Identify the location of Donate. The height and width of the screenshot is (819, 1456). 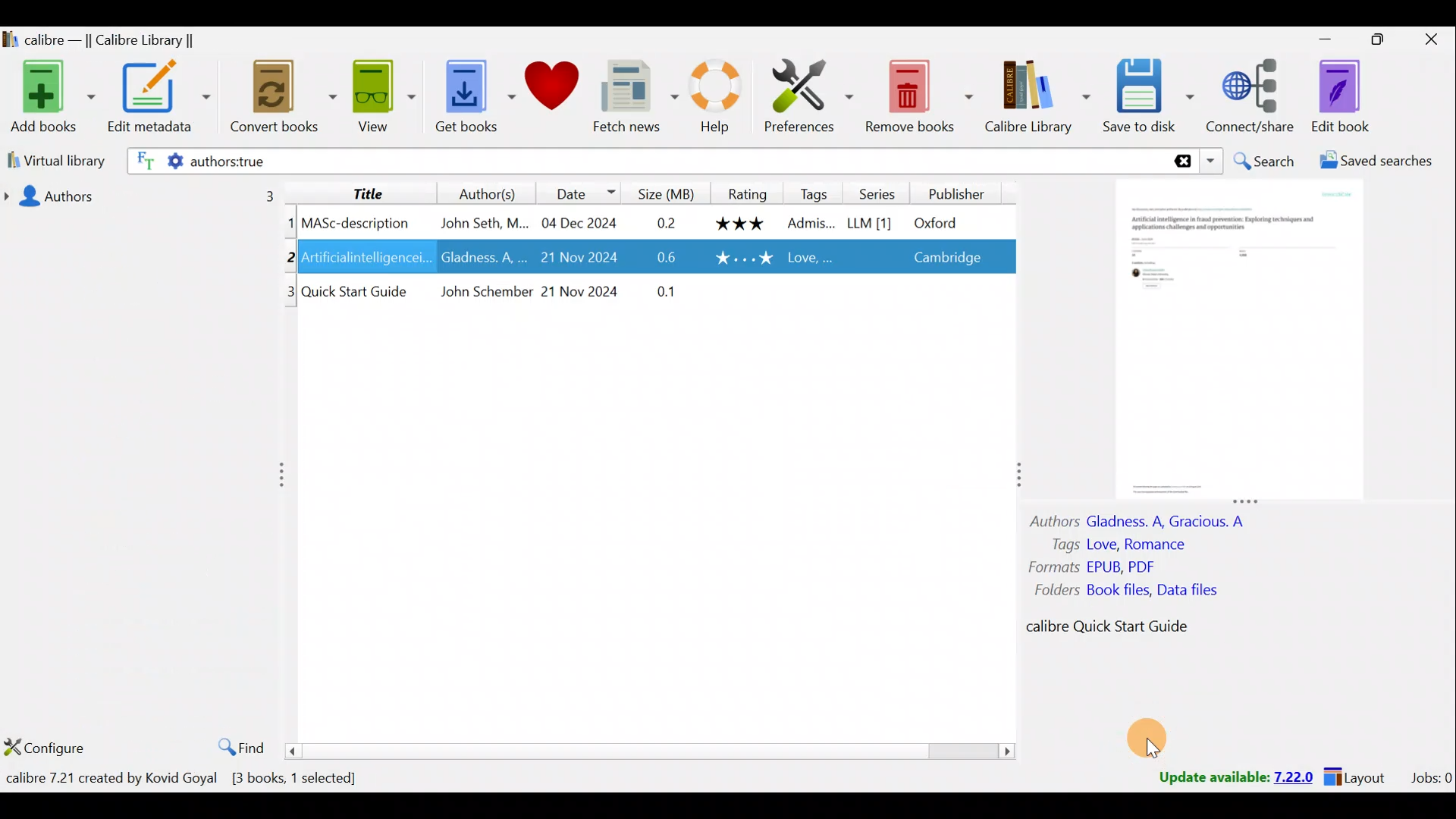
(545, 93).